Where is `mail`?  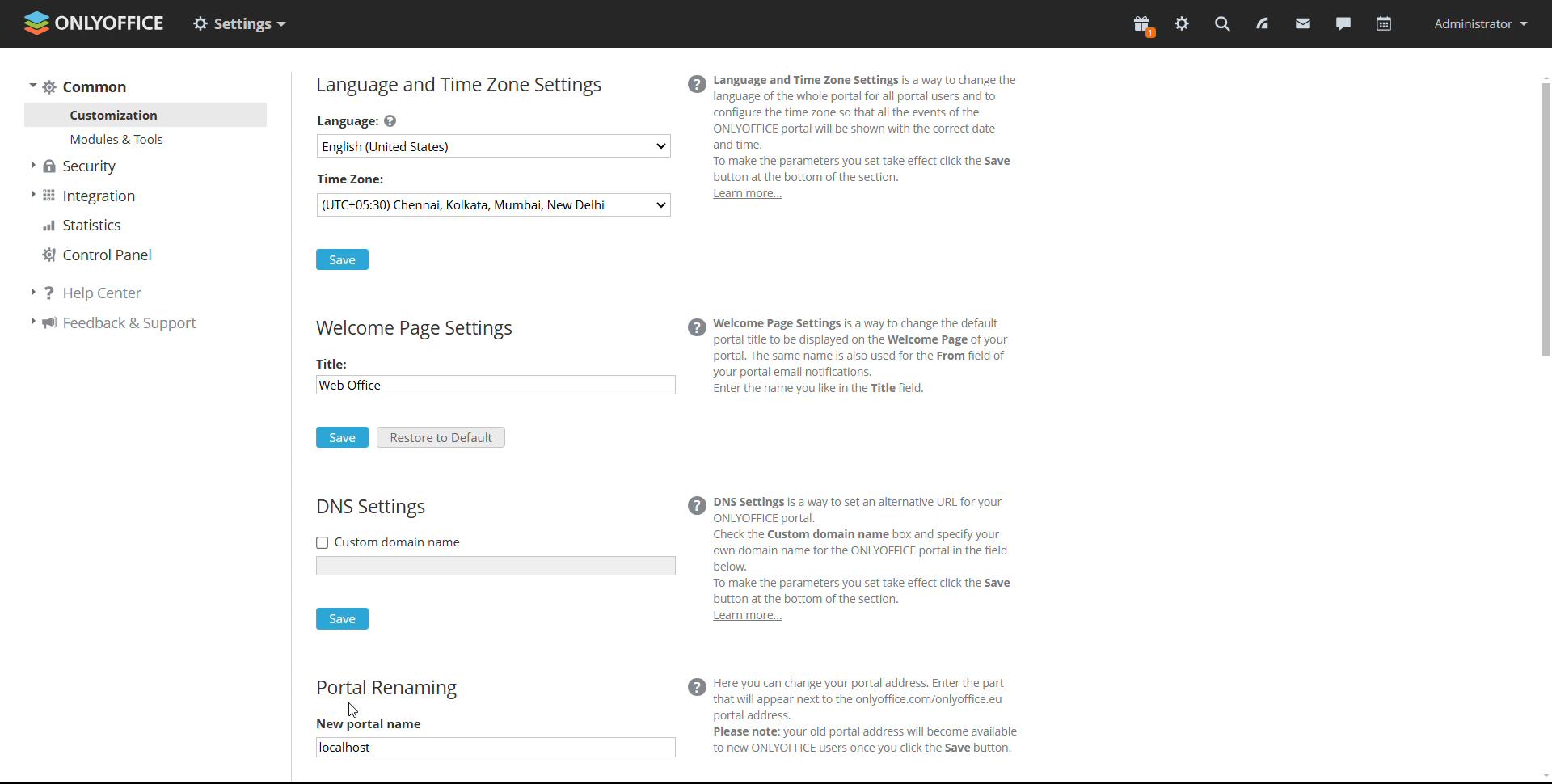
mail is located at coordinates (1303, 23).